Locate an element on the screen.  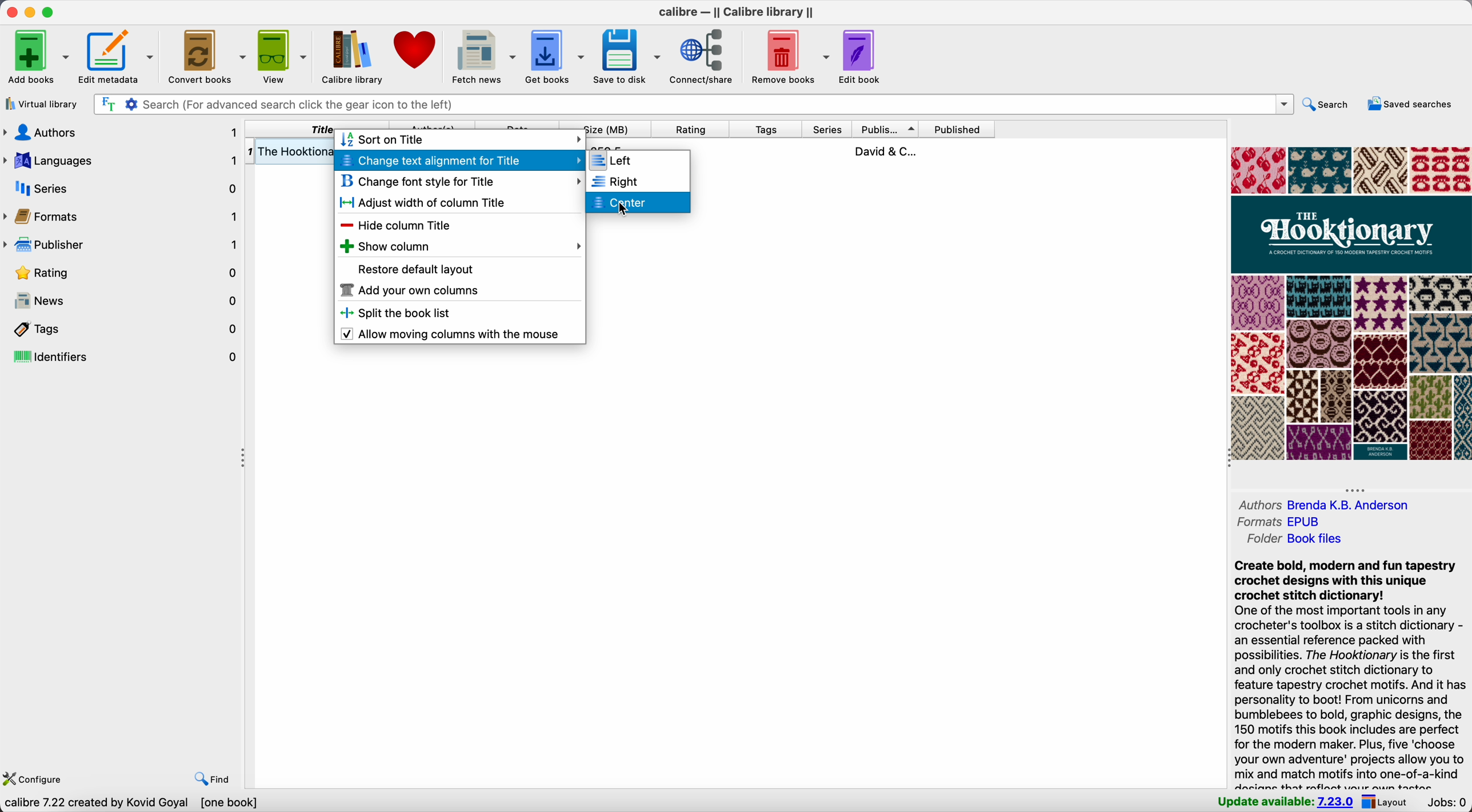
virtual library is located at coordinates (41, 105).